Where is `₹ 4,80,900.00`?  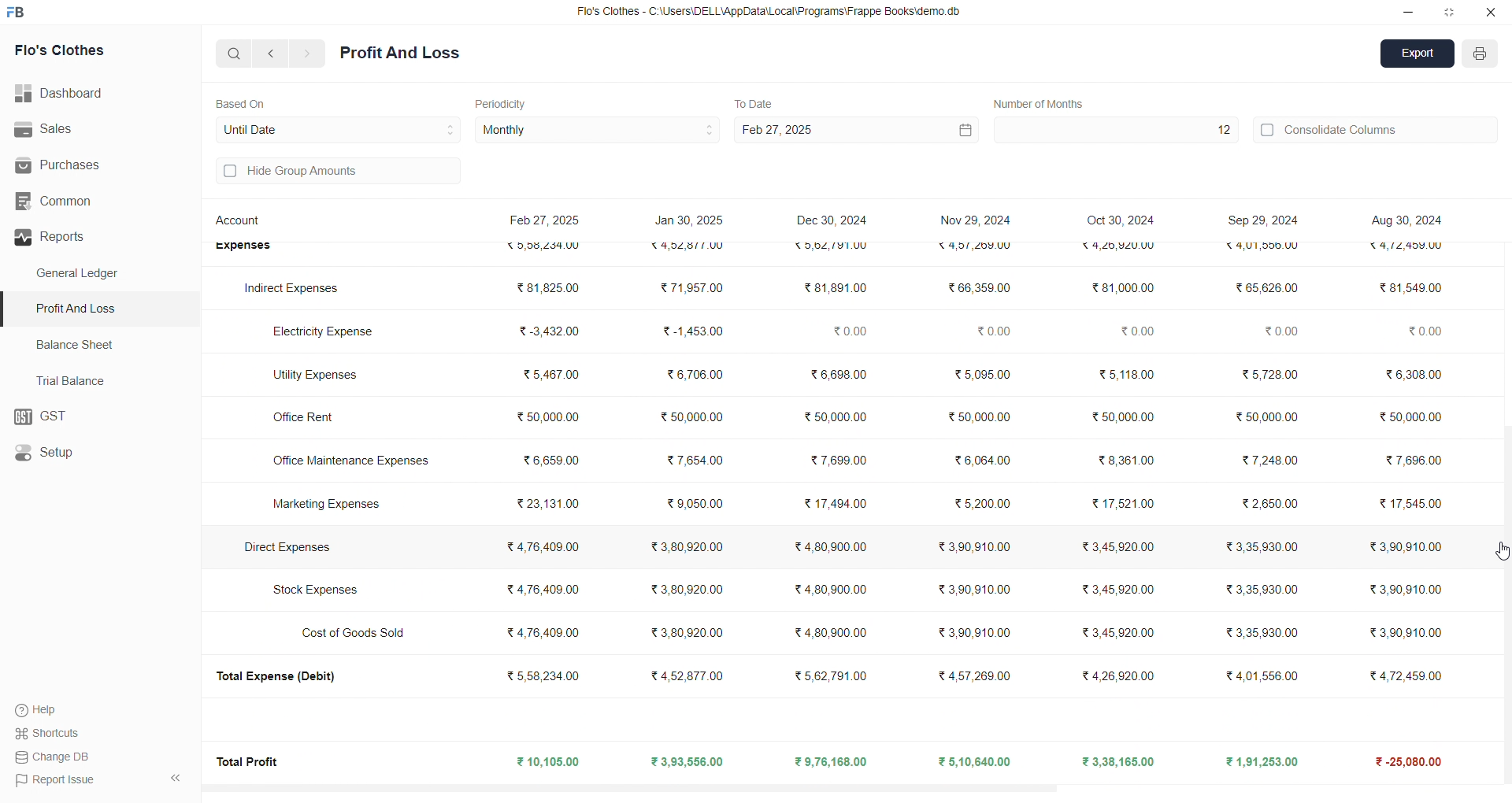 ₹ 4,80,900.00 is located at coordinates (836, 590).